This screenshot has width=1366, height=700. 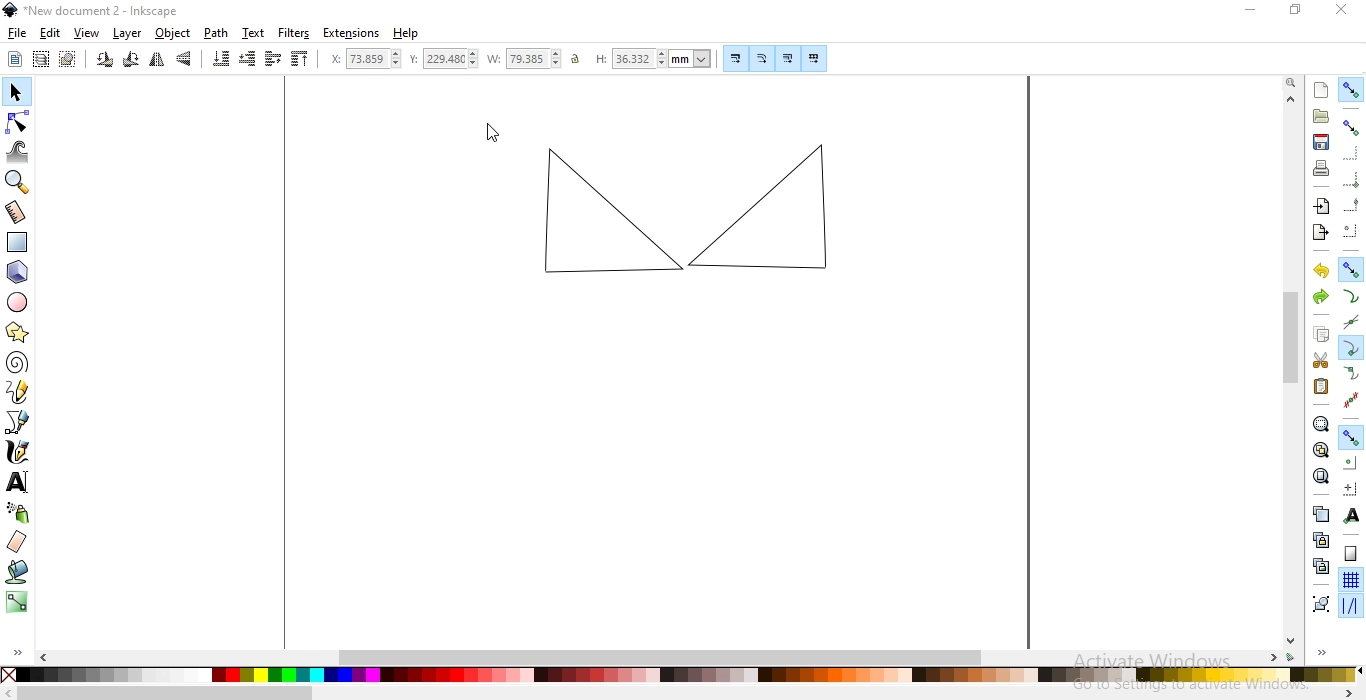 What do you see at coordinates (272, 60) in the screenshot?
I see `raise selection one step` at bounding box center [272, 60].